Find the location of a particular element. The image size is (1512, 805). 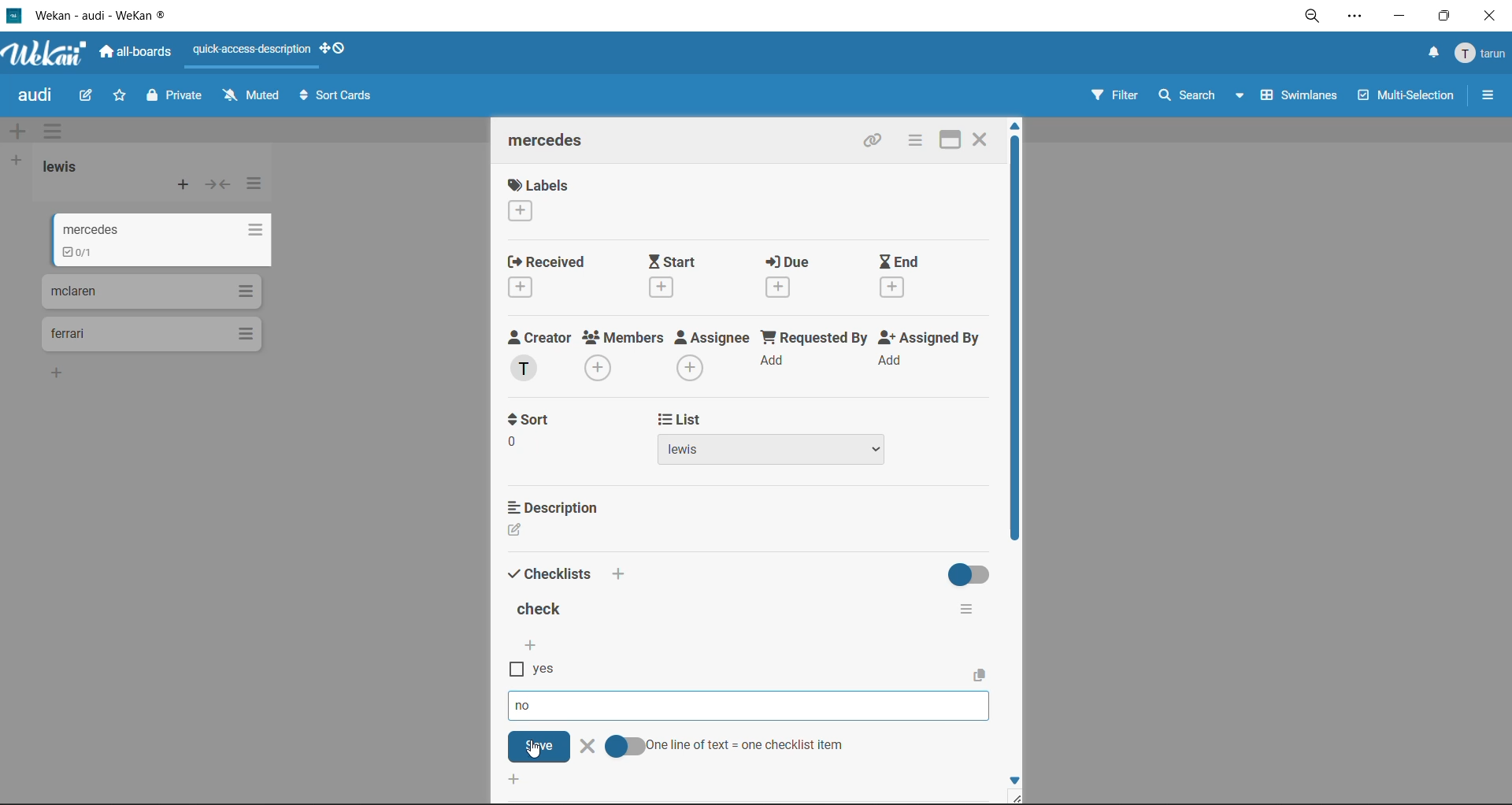

clear checklist option is located at coordinates (587, 747).